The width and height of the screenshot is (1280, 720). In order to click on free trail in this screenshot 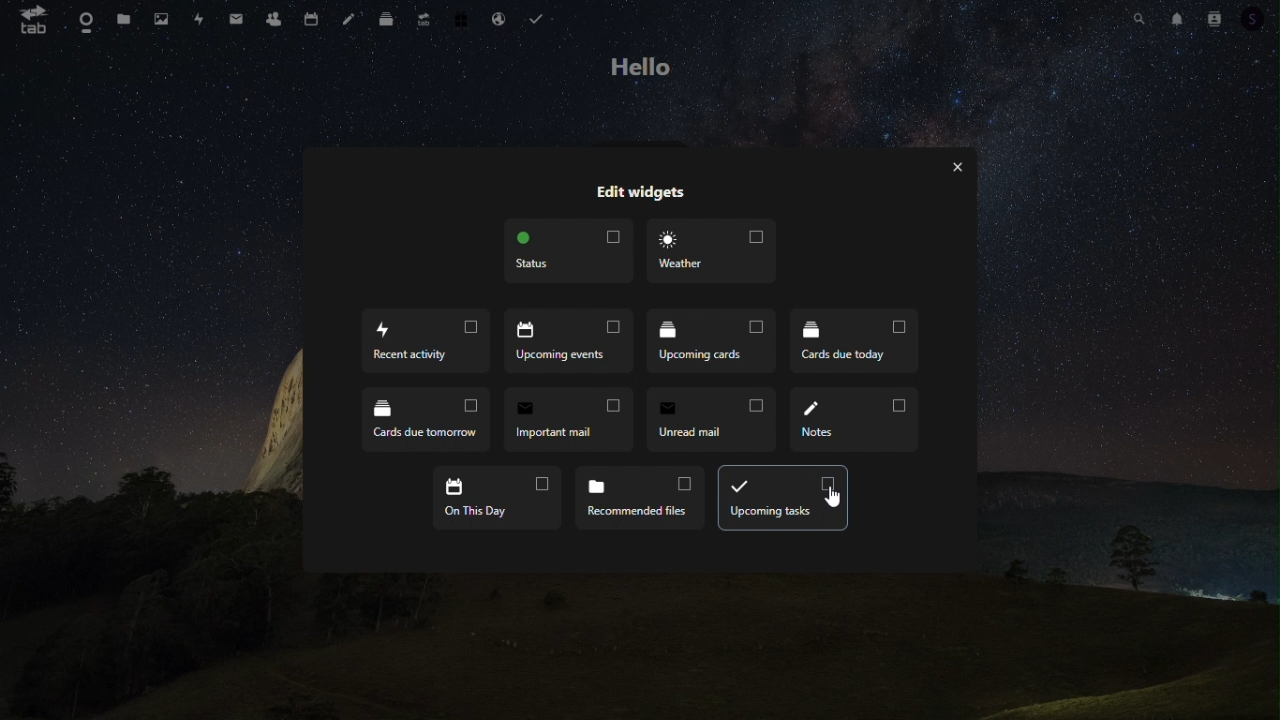, I will do `click(457, 17)`.